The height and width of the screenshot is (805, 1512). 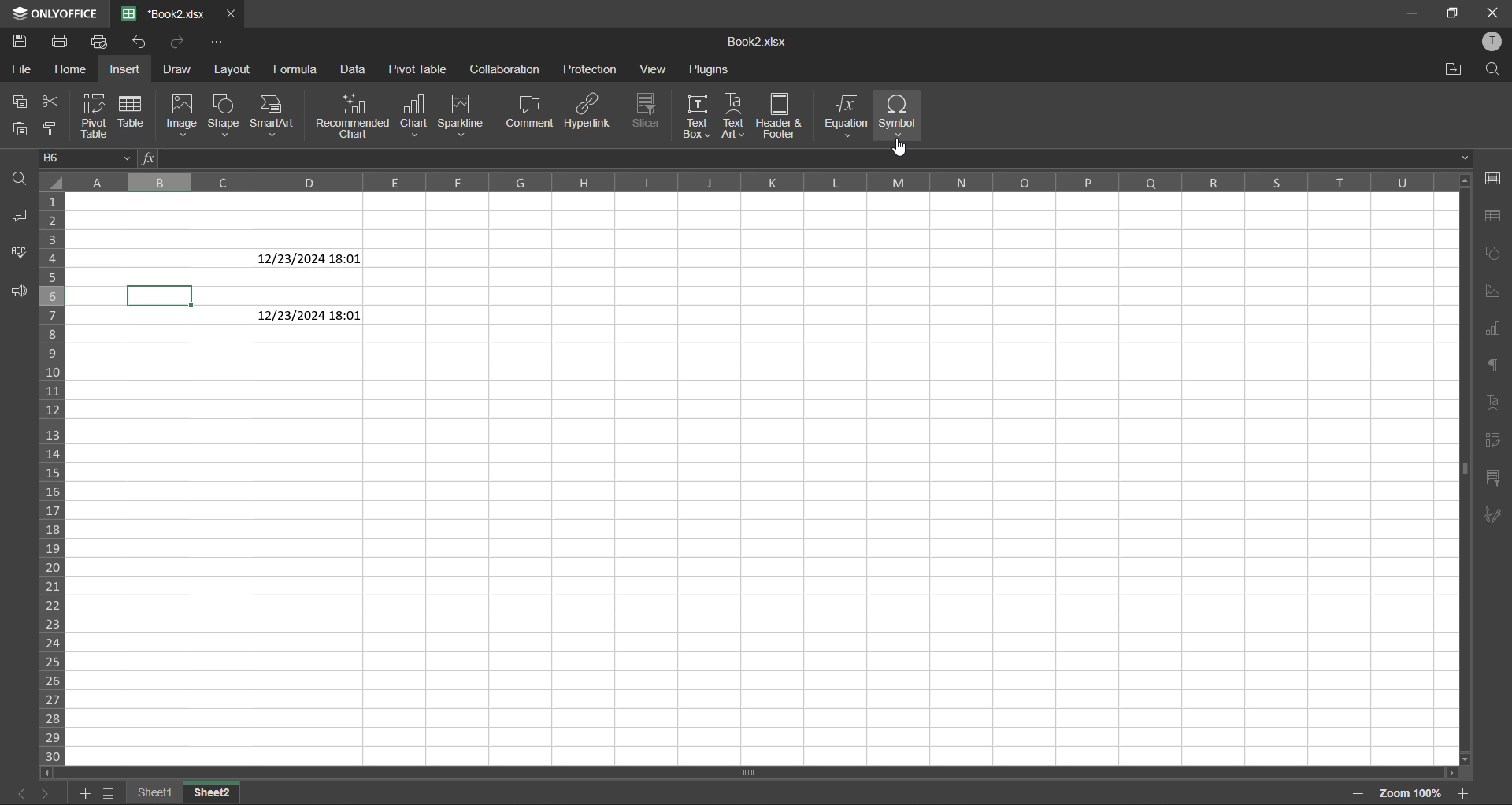 What do you see at coordinates (60, 44) in the screenshot?
I see `print` at bounding box center [60, 44].